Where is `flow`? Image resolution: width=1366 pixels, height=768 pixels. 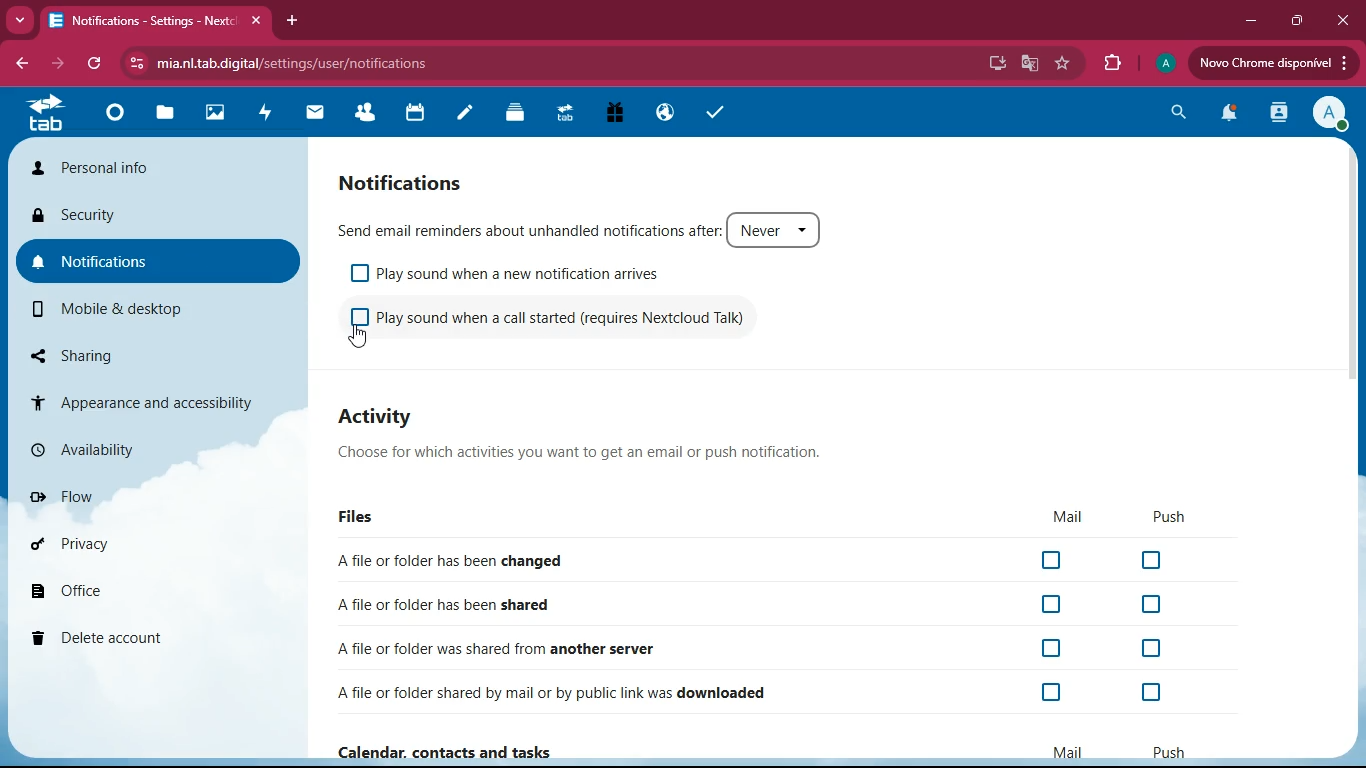
flow is located at coordinates (65, 493).